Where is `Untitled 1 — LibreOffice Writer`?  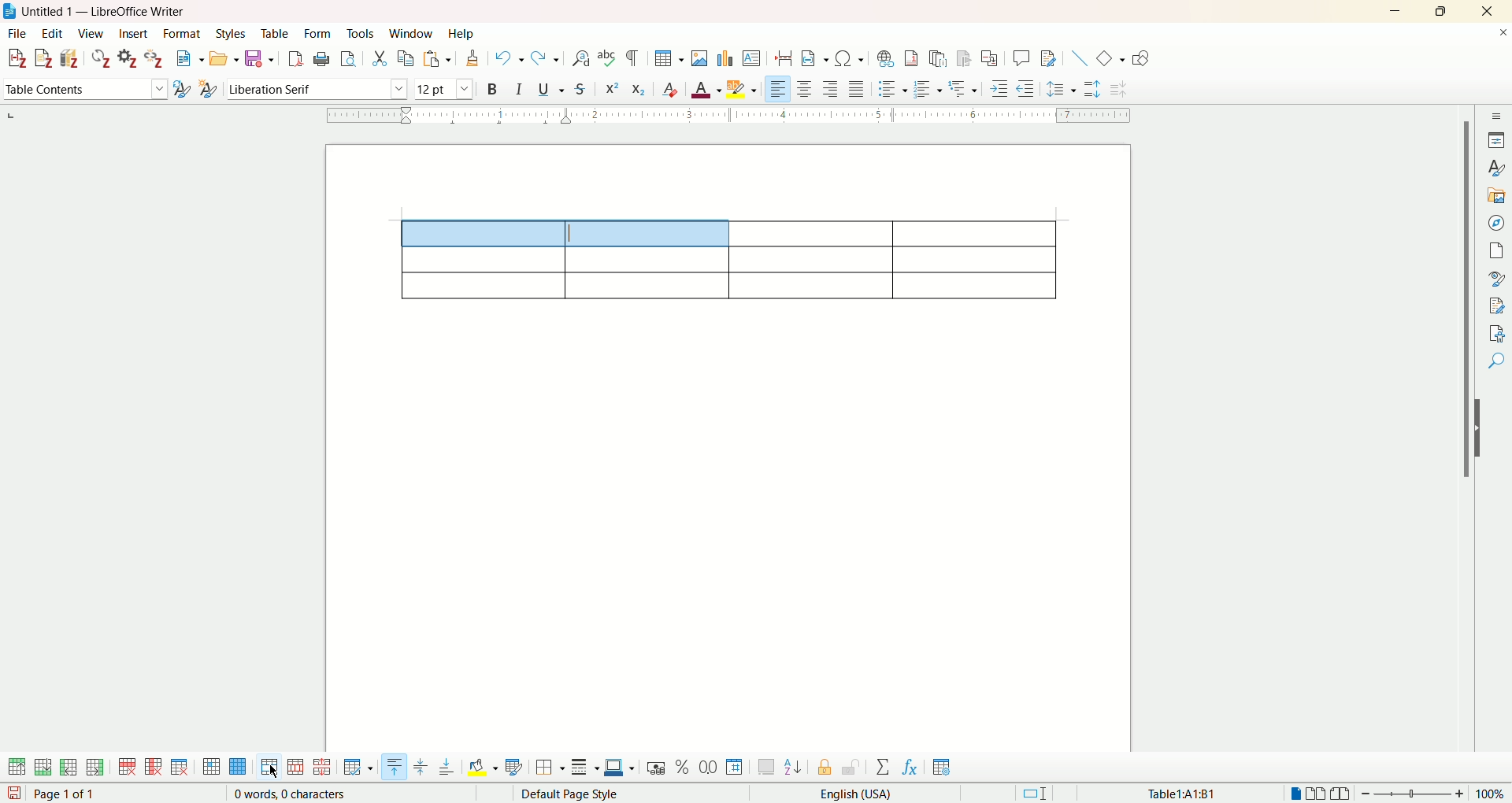
Untitled 1 — LibreOffice Writer is located at coordinates (104, 9).